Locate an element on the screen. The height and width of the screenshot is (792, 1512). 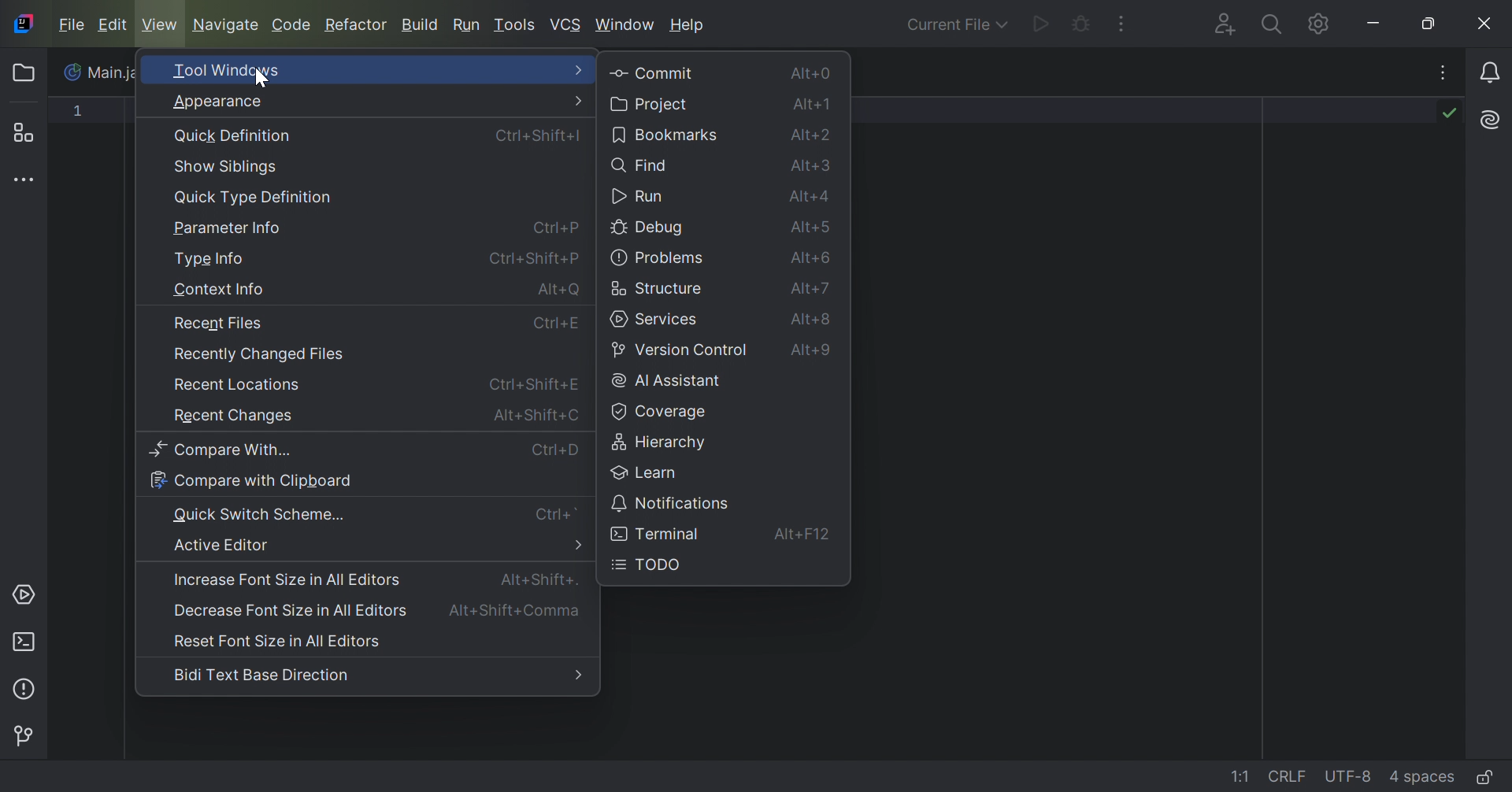
Build is located at coordinates (421, 26).